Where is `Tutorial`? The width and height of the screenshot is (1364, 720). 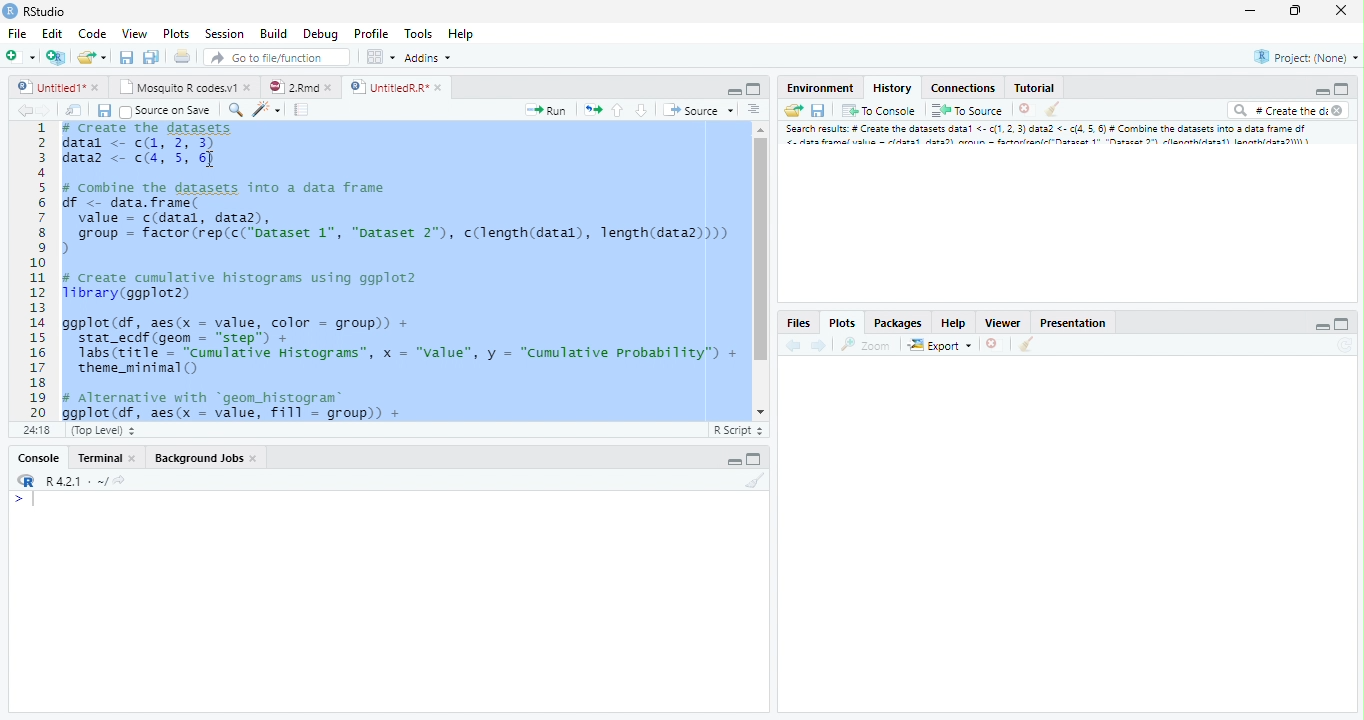 Tutorial is located at coordinates (1035, 88).